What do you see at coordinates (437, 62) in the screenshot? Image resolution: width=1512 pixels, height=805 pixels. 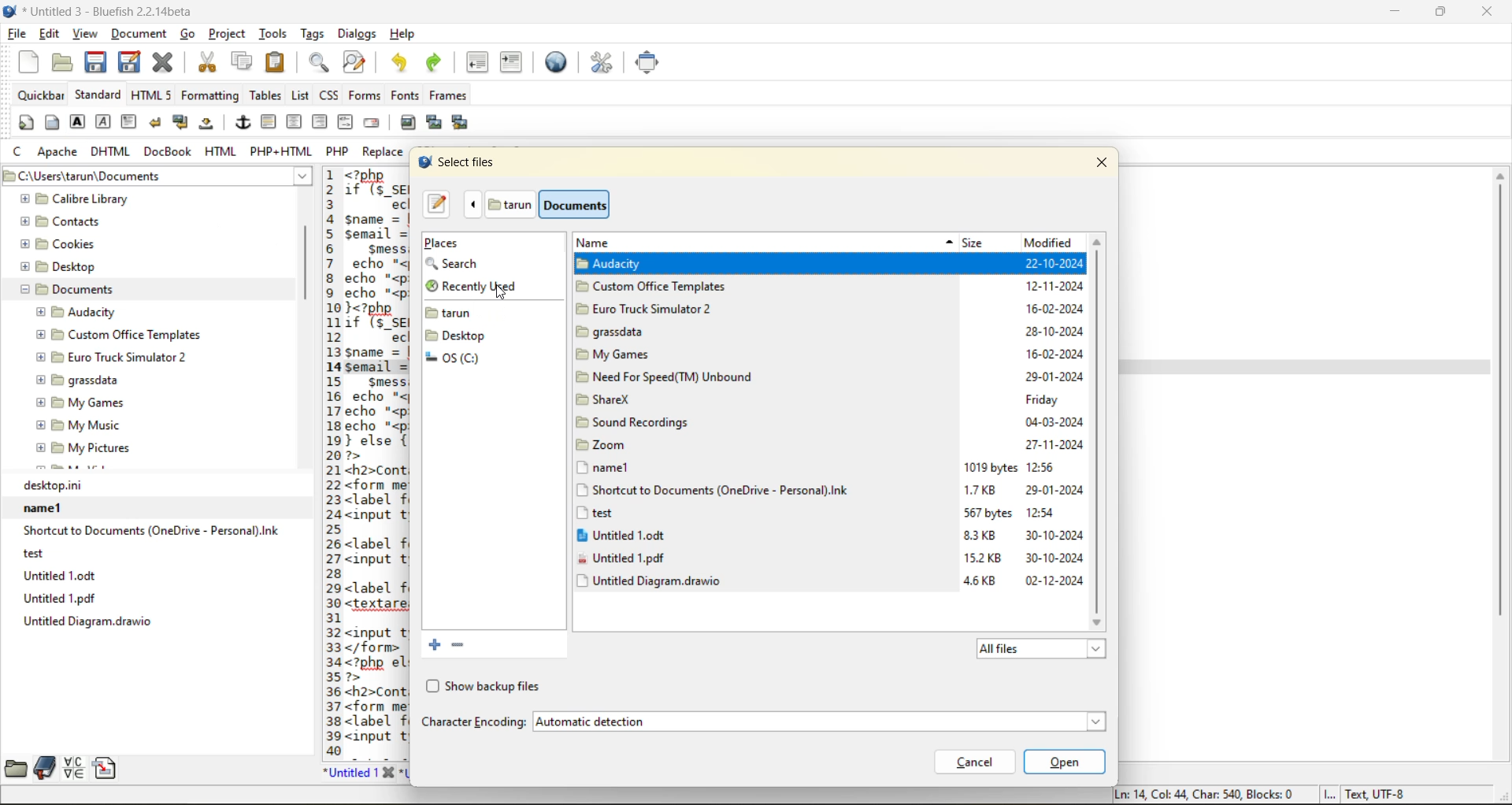 I see `redo` at bounding box center [437, 62].